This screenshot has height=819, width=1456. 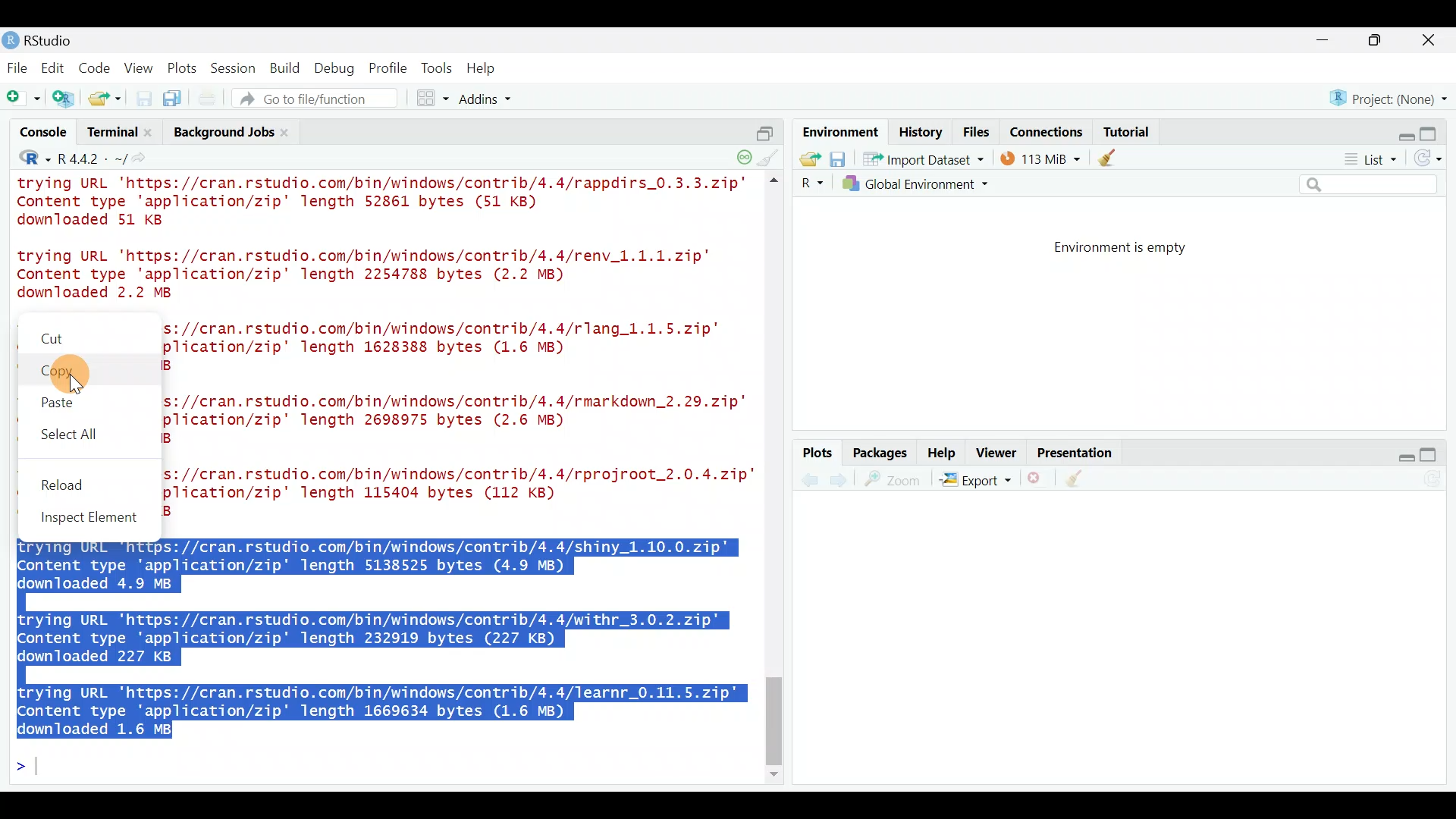 I want to click on Connections, so click(x=1047, y=130).